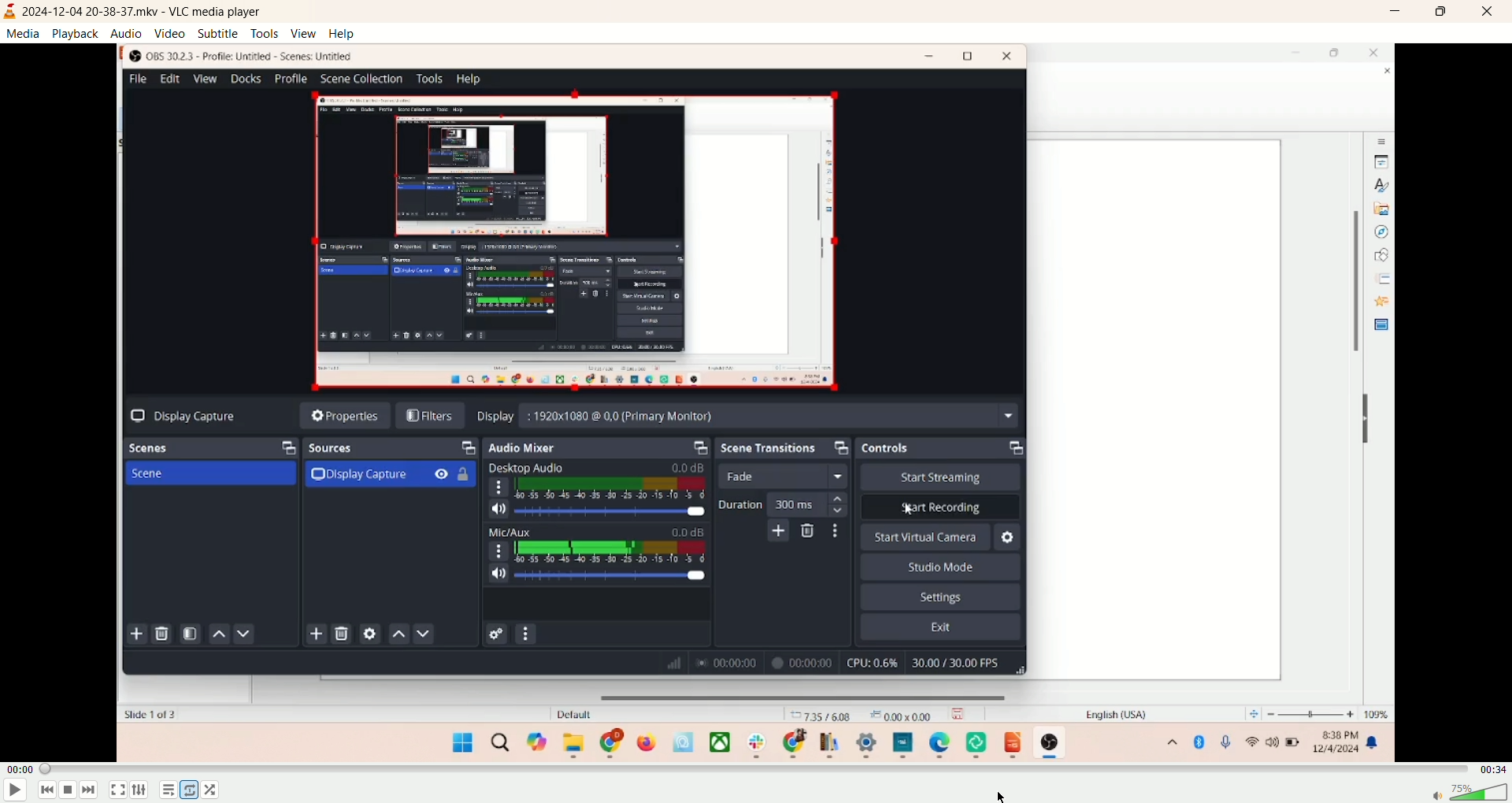  Describe the element at coordinates (46, 790) in the screenshot. I see `previous track` at that location.